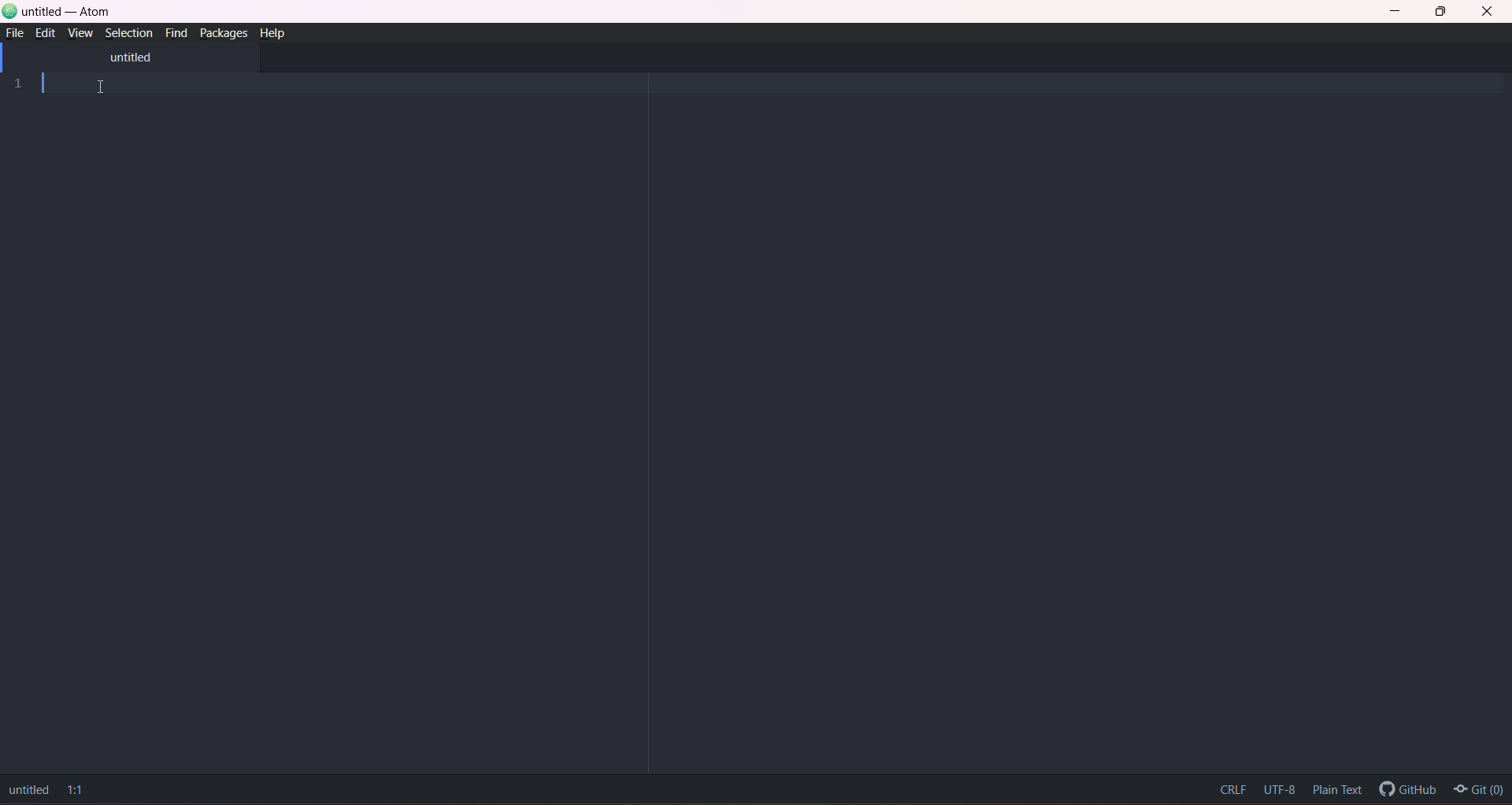  What do you see at coordinates (274, 33) in the screenshot?
I see `Help` at bounding box center [274, 33].